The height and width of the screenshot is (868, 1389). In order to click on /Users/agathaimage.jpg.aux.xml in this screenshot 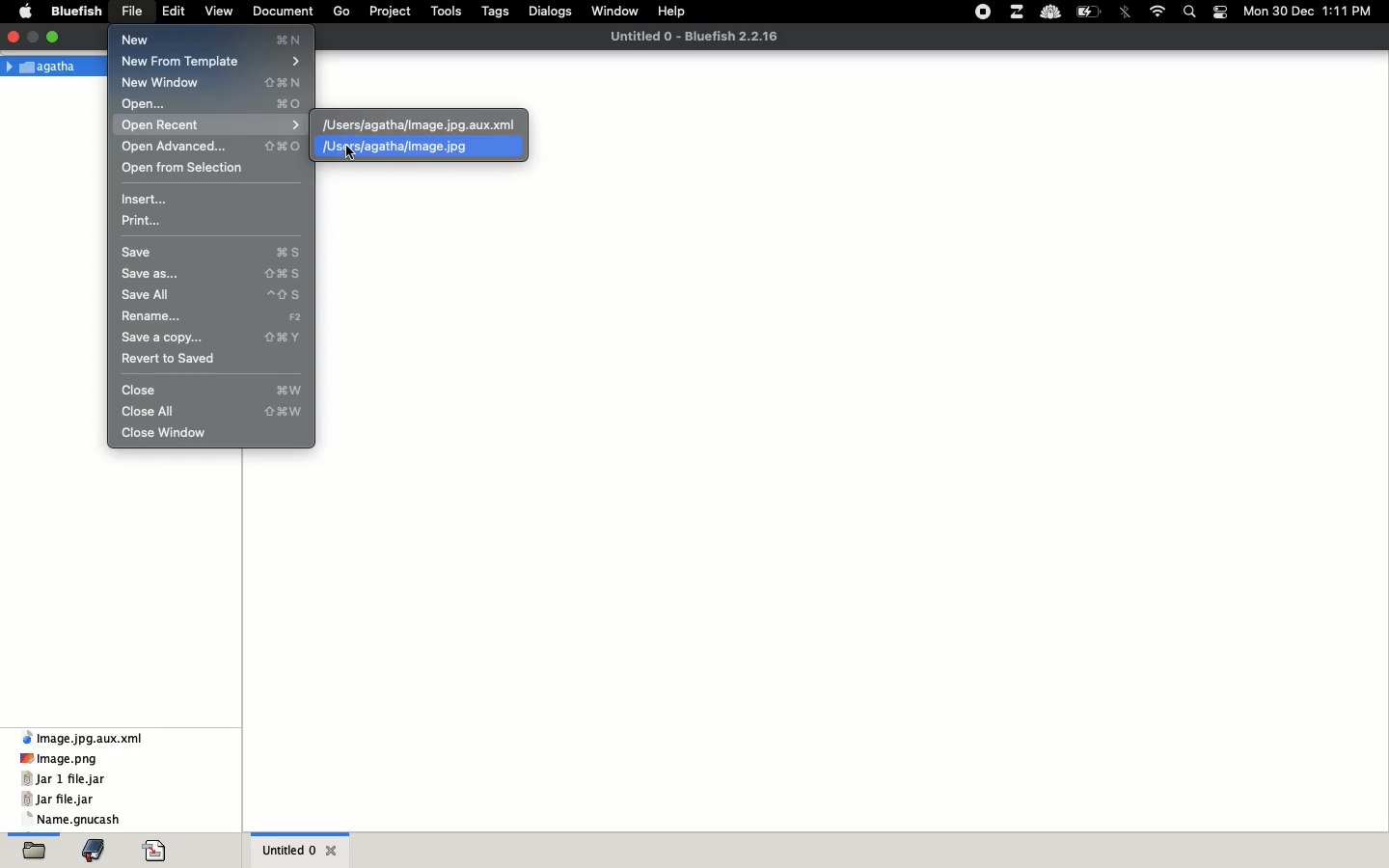, I will do `click(420, 123)`.